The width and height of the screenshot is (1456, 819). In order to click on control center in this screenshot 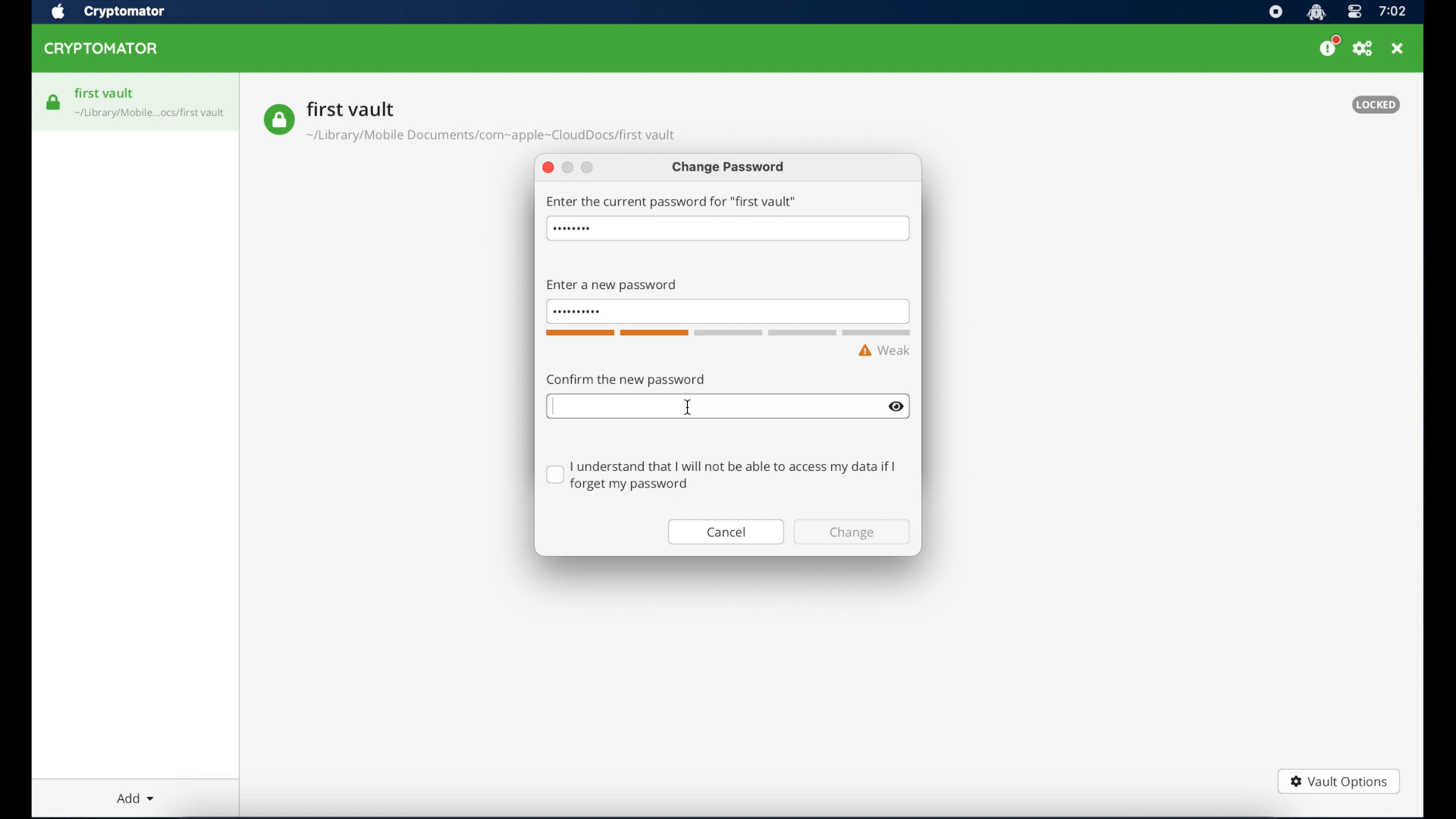, I will do `click(1354, 13)`.